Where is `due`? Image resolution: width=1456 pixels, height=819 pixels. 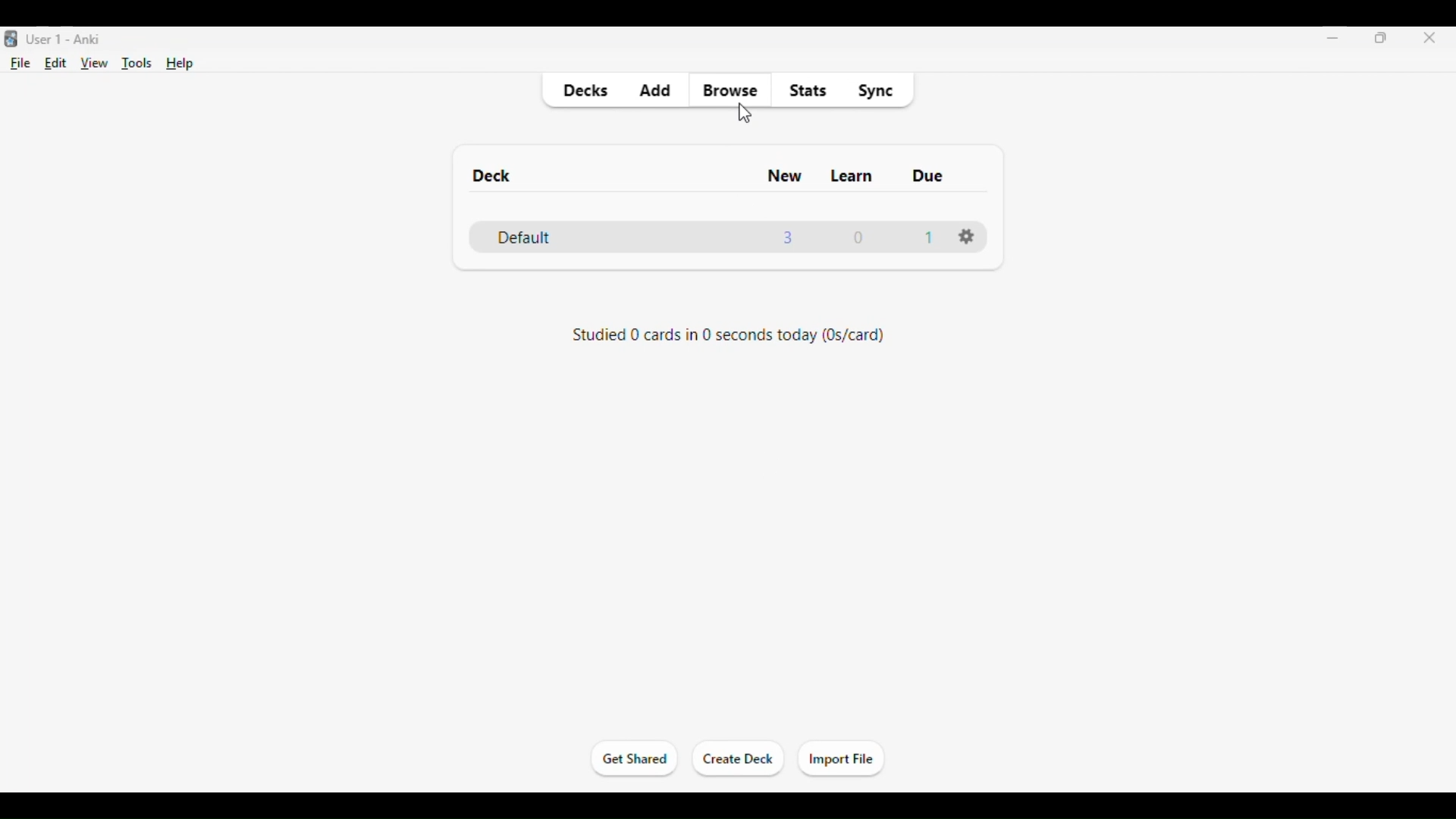
due is located at coordinates (927, 175).